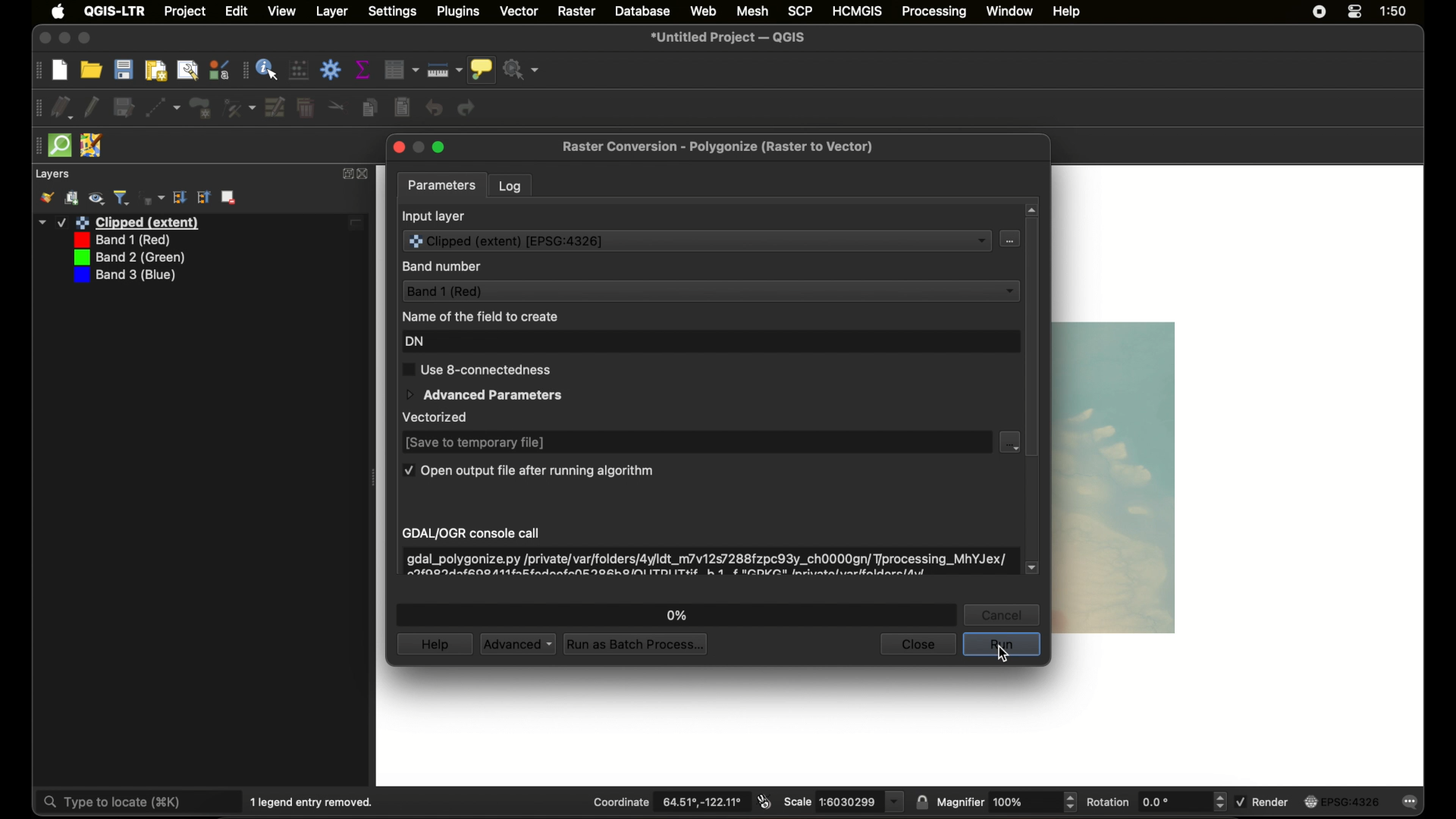 This screenshot has height=819, width=1456. Describe the element at coordinates (91, 146) in the screenshot. I see `jsom remote` at that location.